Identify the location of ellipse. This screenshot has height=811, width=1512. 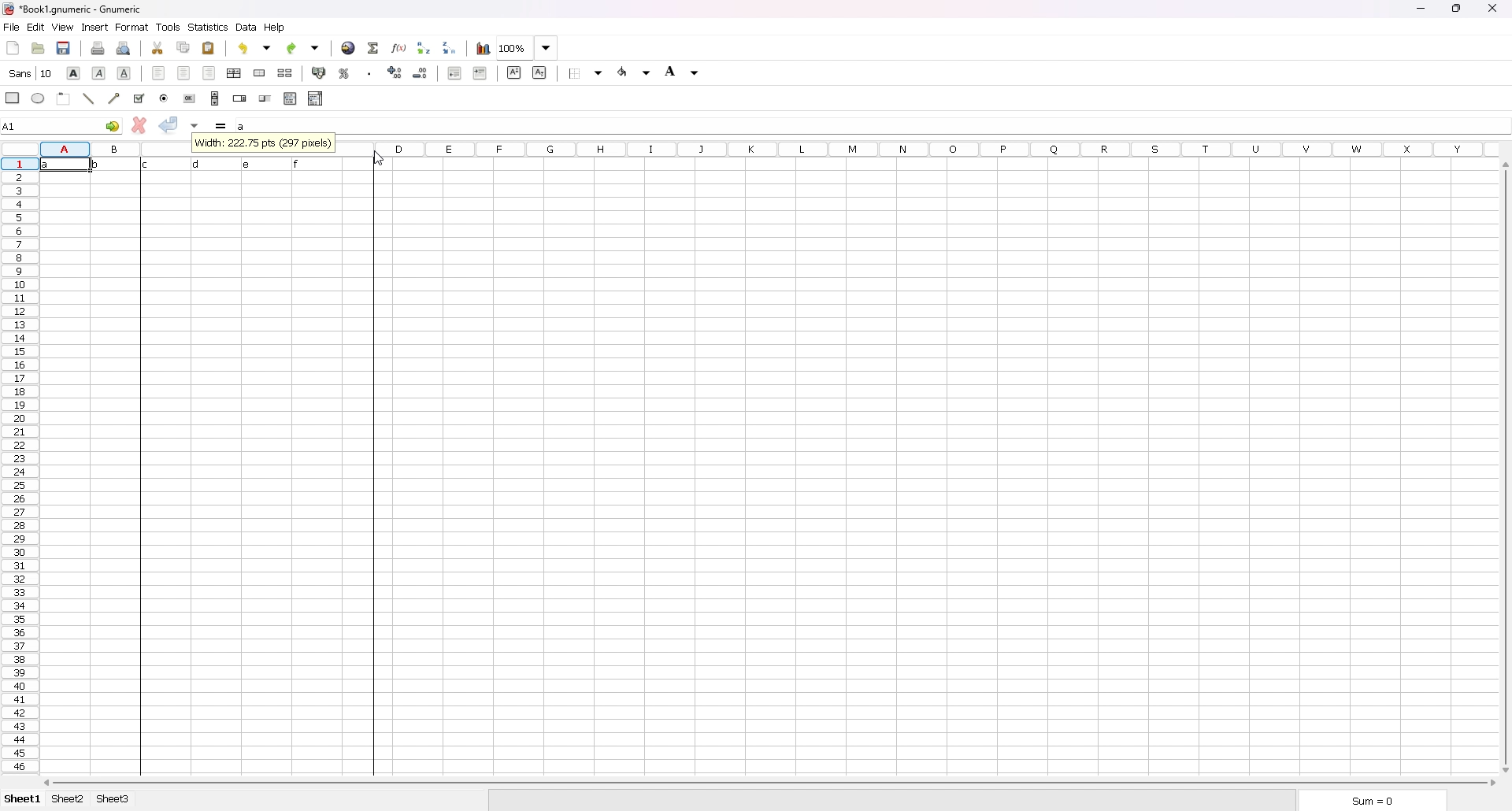
(39, 98).